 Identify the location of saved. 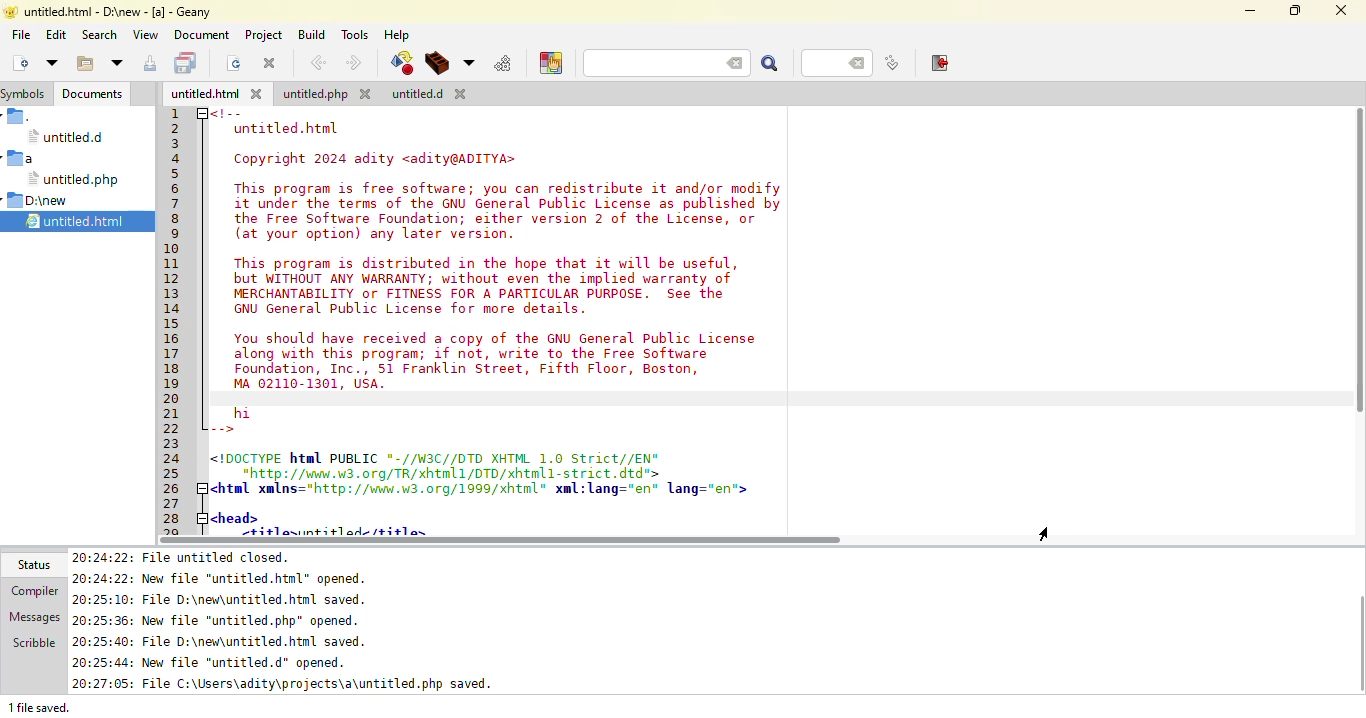
(82, 222).